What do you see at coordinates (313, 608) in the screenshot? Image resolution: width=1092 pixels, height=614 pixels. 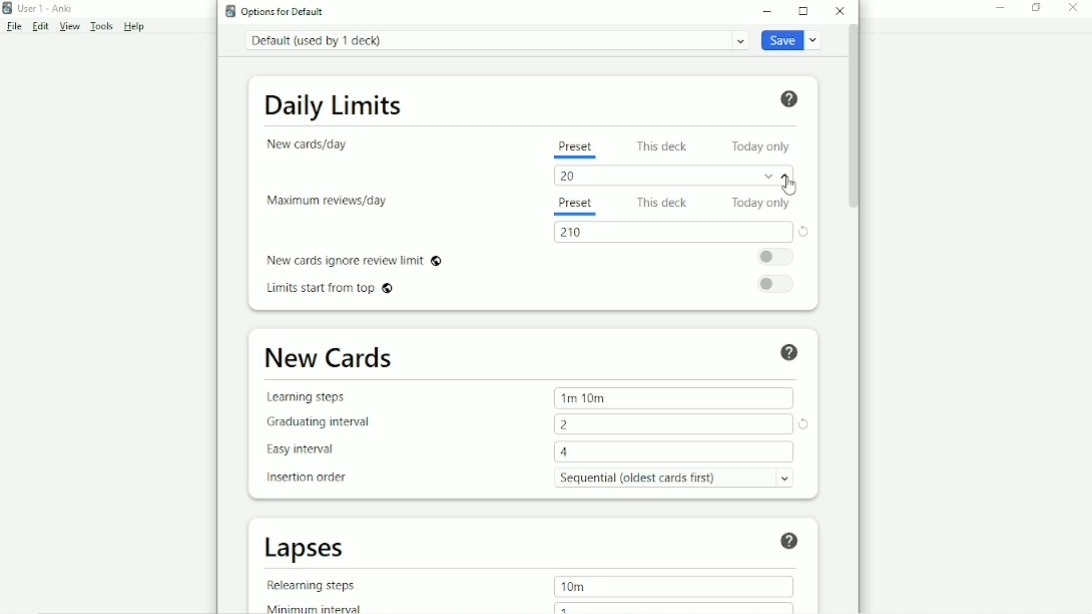 I see `Minimum interval` at bounding box center [313, 608].